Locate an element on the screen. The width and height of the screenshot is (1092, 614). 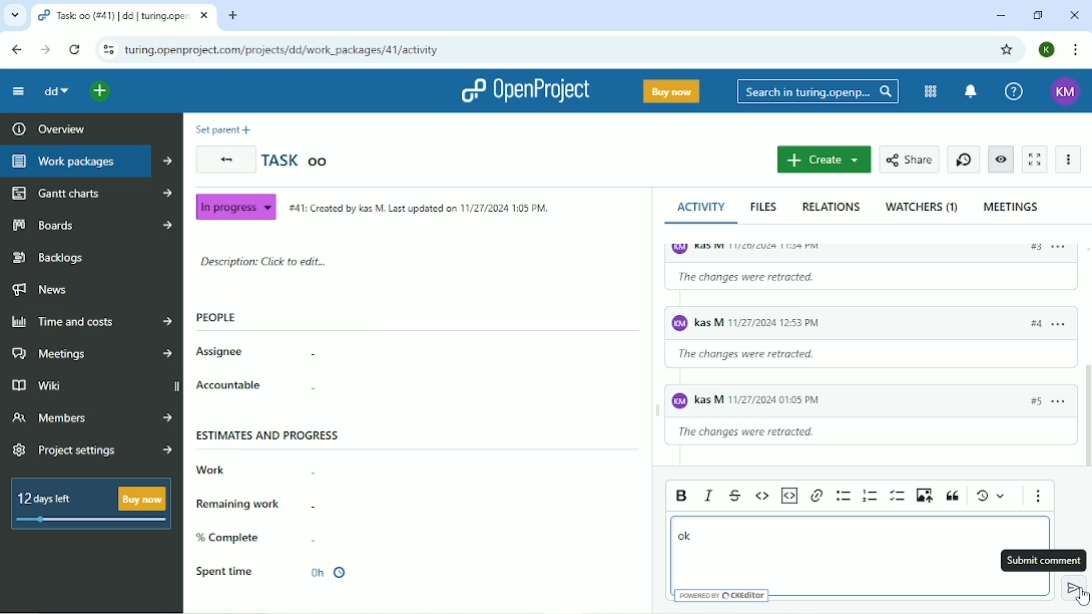
Italic is located at coordinates (707, 496).